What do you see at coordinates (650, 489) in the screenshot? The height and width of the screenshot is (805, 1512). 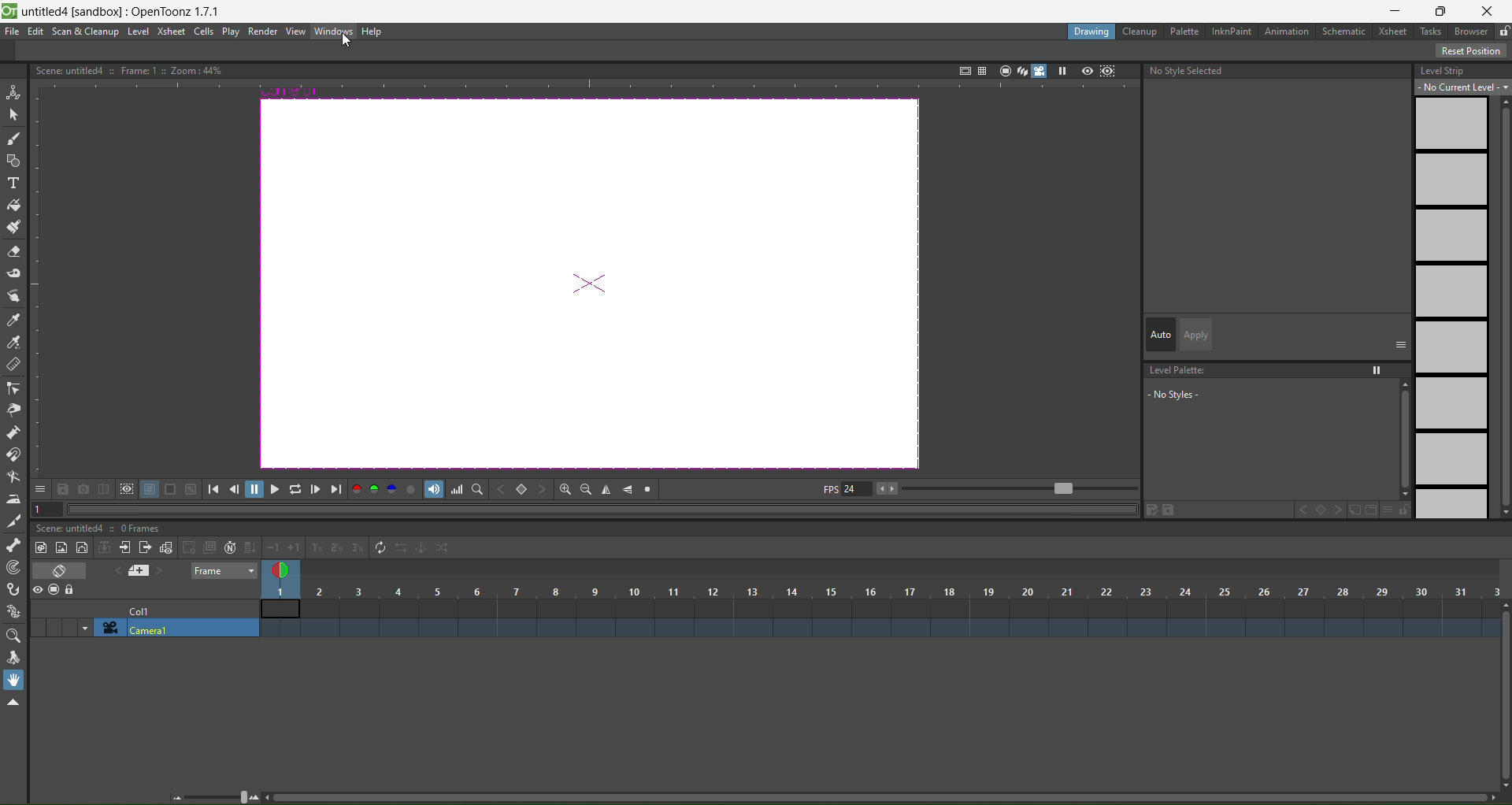 I see `reset view` at bounding box center [650, 489].